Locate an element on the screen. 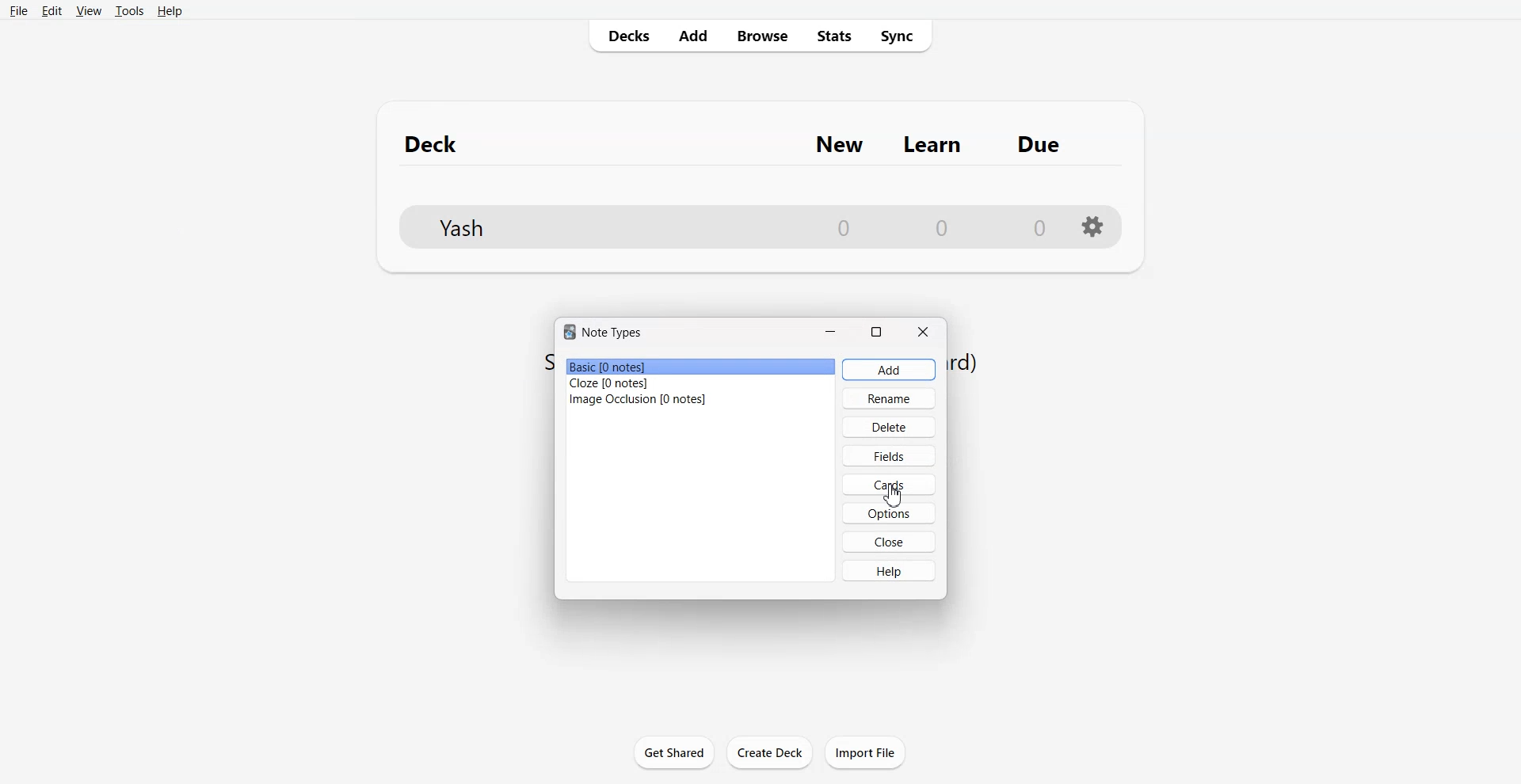  Browse is located at coordinates (760, 35).